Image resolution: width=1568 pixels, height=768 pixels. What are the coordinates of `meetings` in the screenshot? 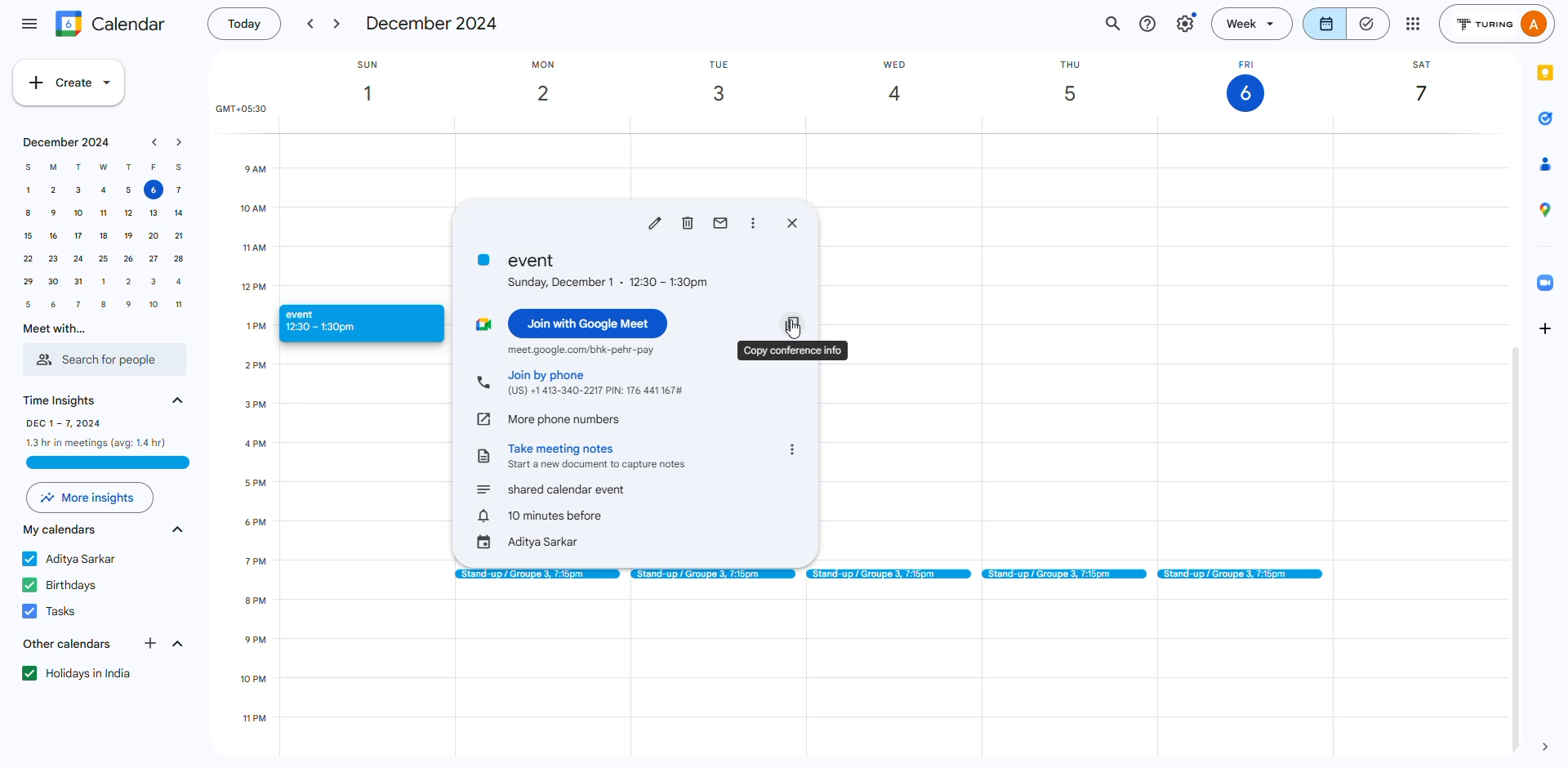 It's located at (1063, 574).